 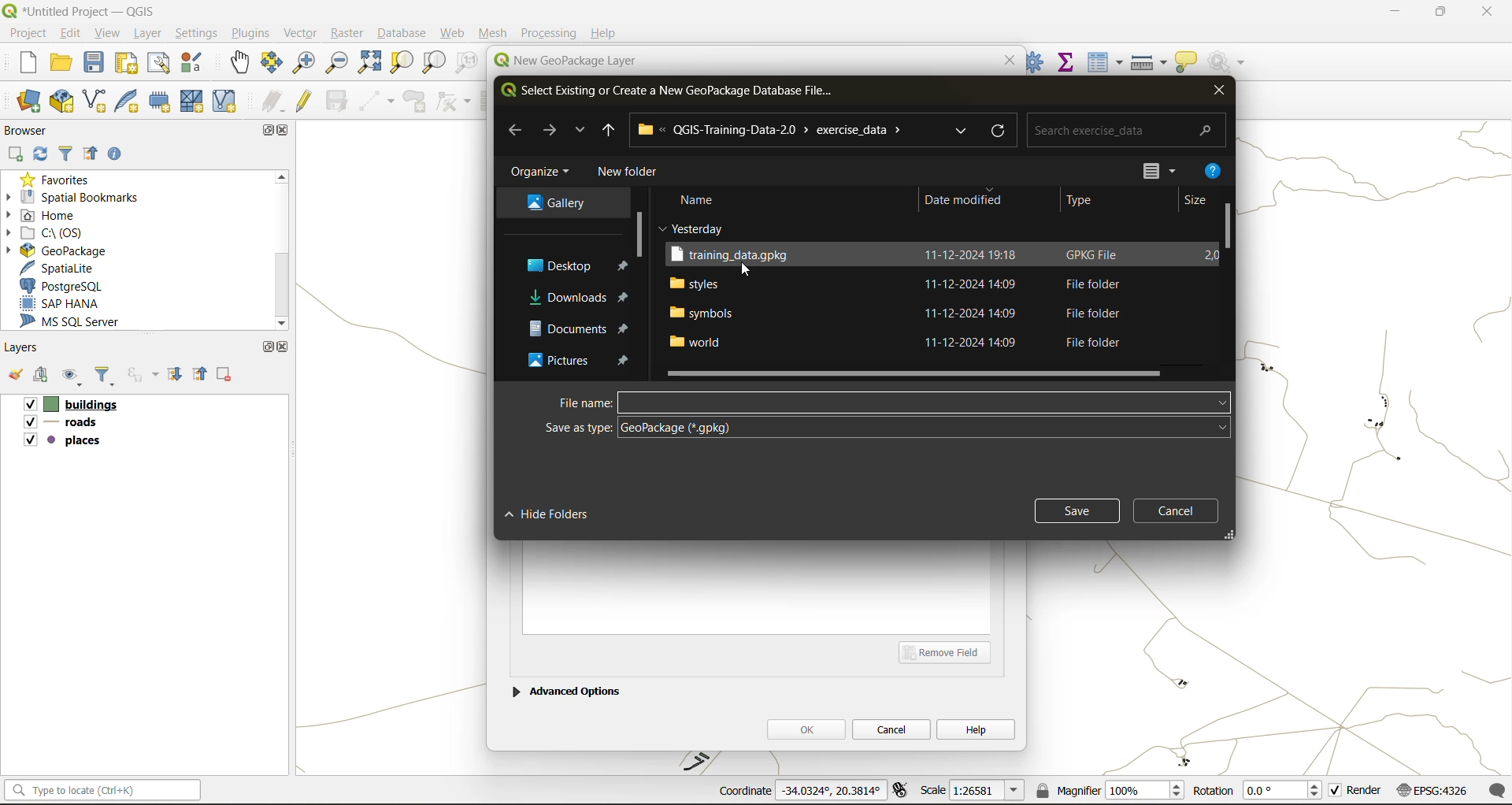 I want to click on styles, so click(x=695, y=282).